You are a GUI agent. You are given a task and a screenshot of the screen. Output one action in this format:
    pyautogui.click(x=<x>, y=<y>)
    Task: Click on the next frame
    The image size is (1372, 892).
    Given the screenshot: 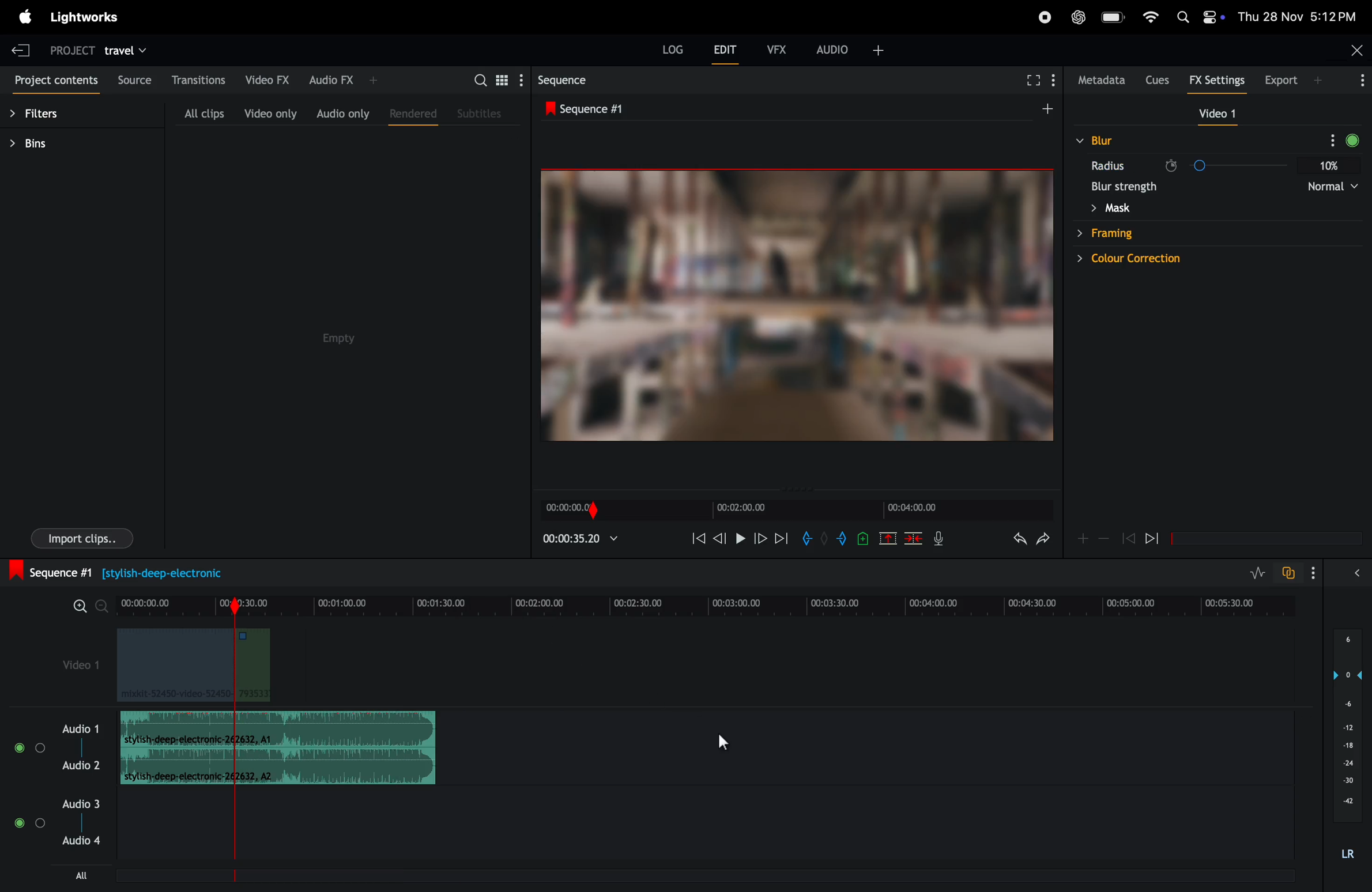 What is the action you would take?
    pyautogui.click(x=761, y=539)
    